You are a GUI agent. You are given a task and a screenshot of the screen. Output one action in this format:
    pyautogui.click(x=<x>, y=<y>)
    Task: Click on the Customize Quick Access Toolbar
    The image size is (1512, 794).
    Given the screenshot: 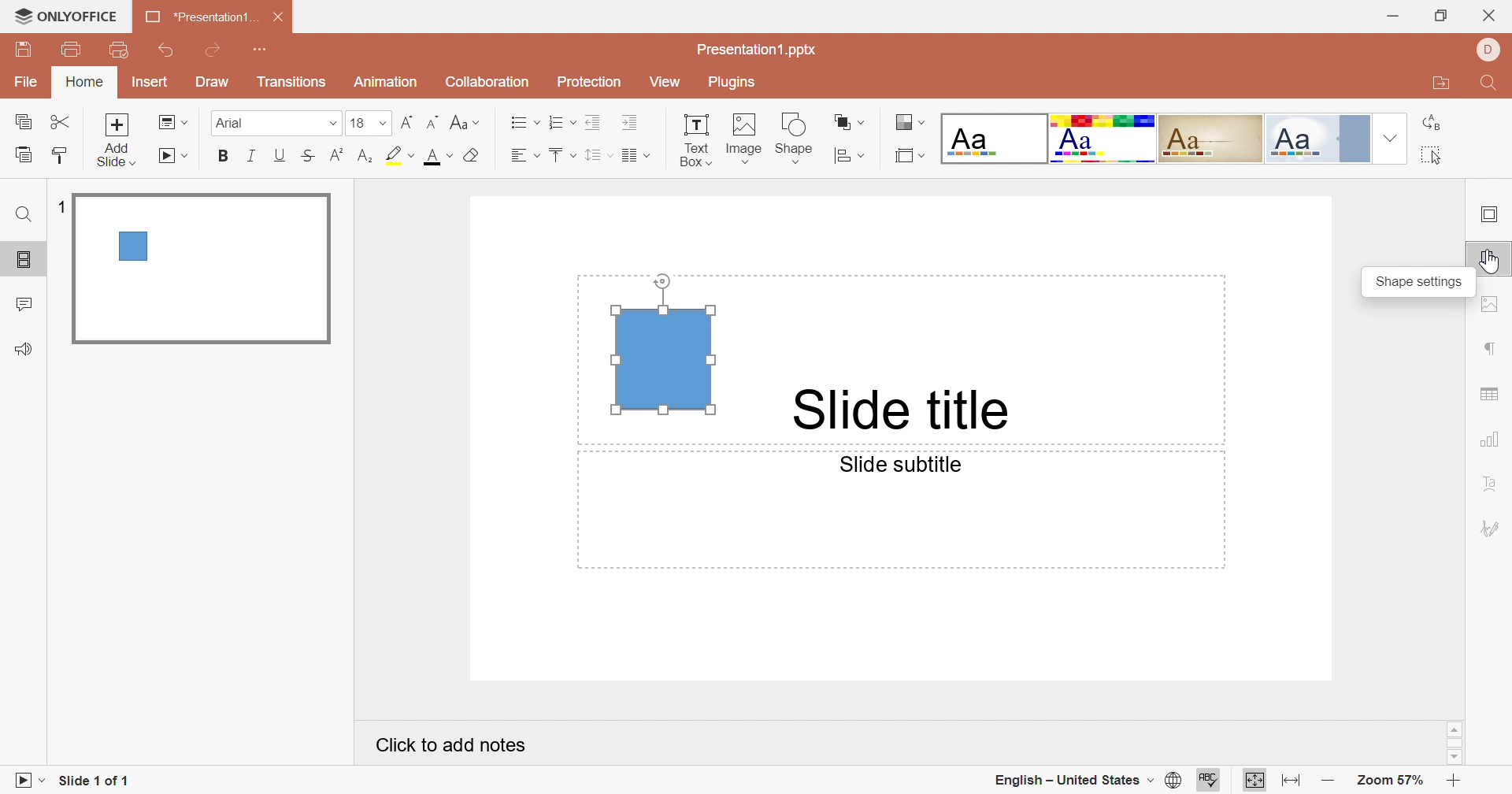 What is the action you would take?
    pyautogui.click(x=120, y=50)
    